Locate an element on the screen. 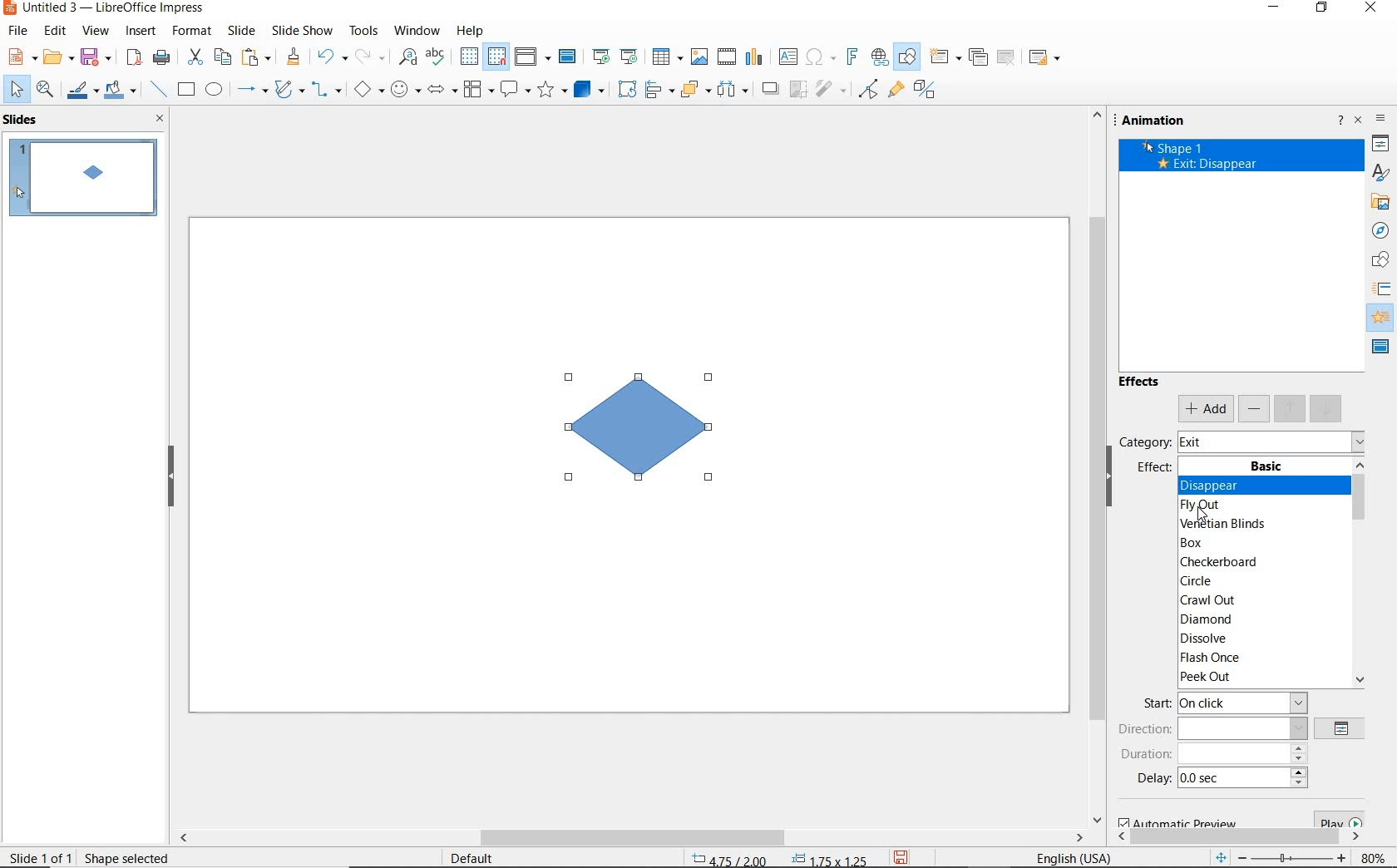 Image resolution: width=1397 pixels, height=868 pixels. rotate is located at coordinates (627, 91).